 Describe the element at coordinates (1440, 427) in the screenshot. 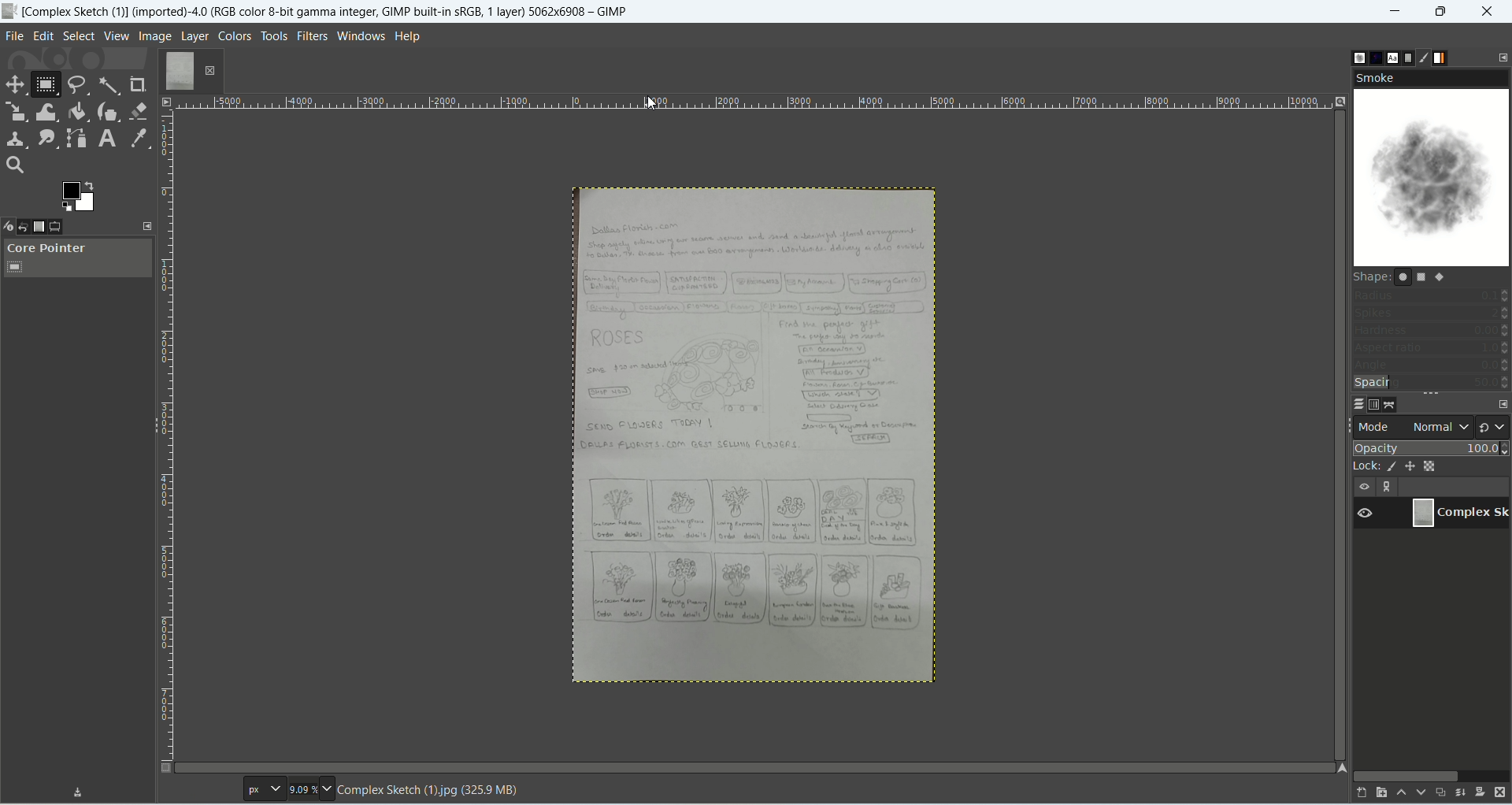

I see `normal` at that location.